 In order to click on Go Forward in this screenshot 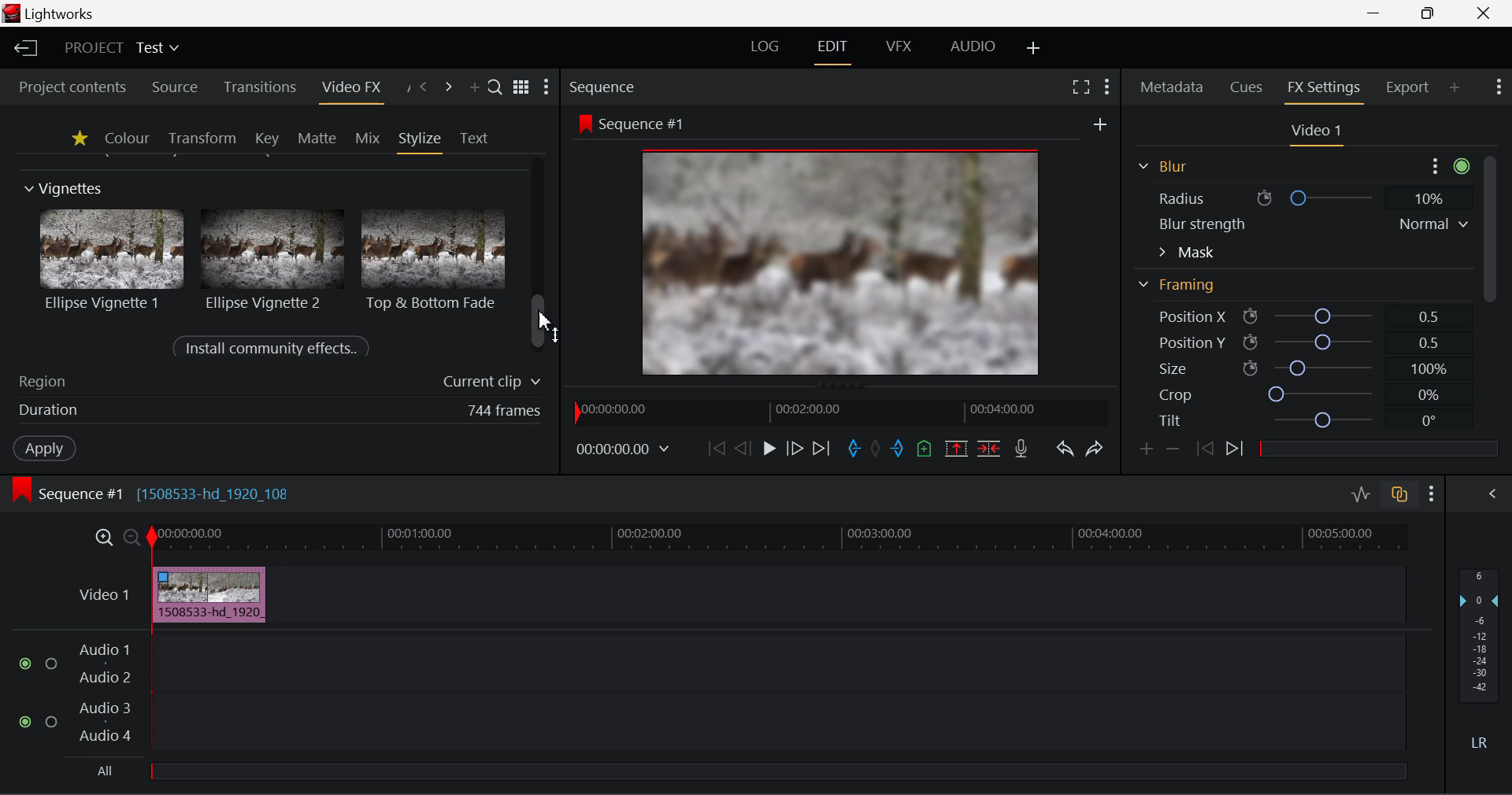, I will do `click(795, 449)`.